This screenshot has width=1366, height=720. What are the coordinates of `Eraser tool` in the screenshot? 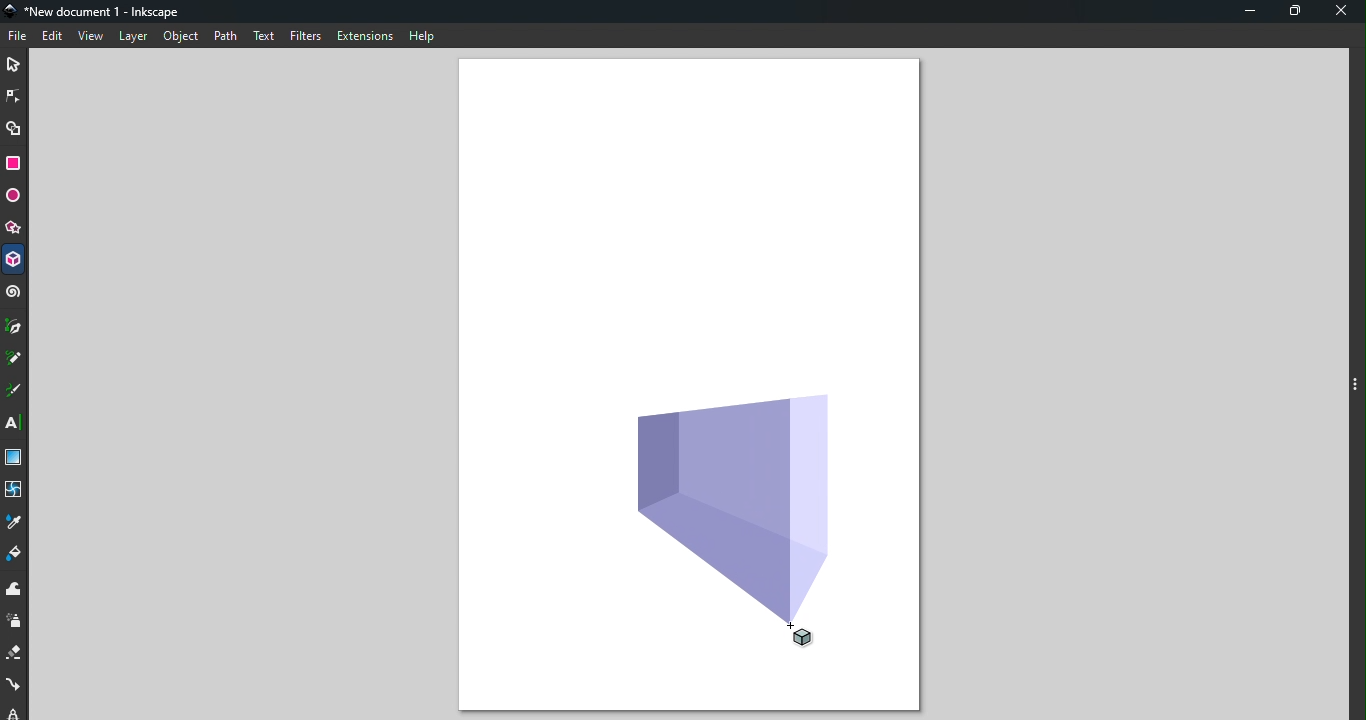 It's located at (15, 655).